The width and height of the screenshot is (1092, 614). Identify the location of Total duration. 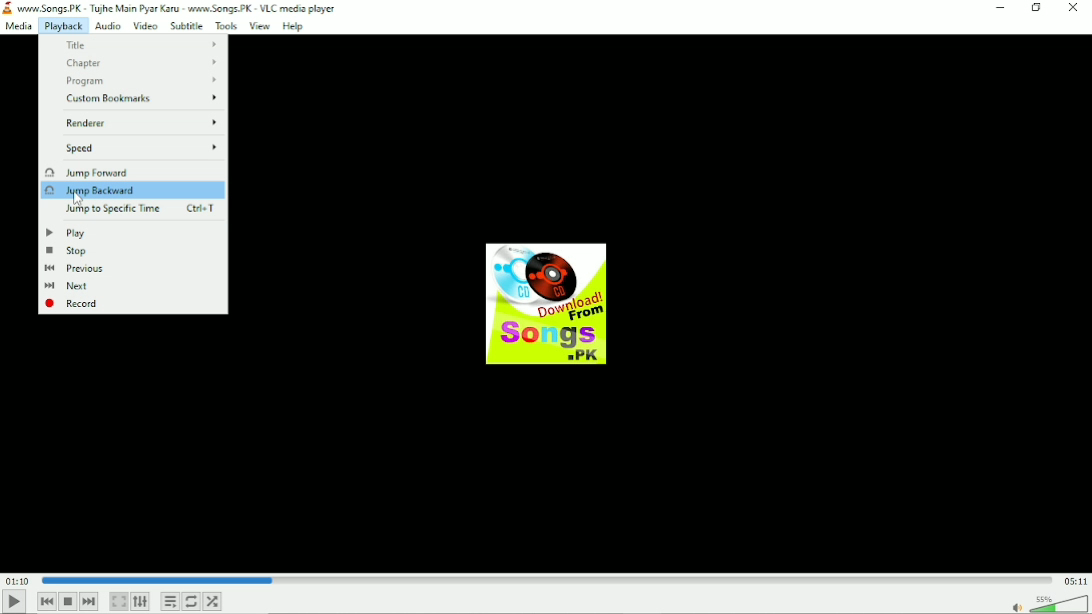
(1076, 582).